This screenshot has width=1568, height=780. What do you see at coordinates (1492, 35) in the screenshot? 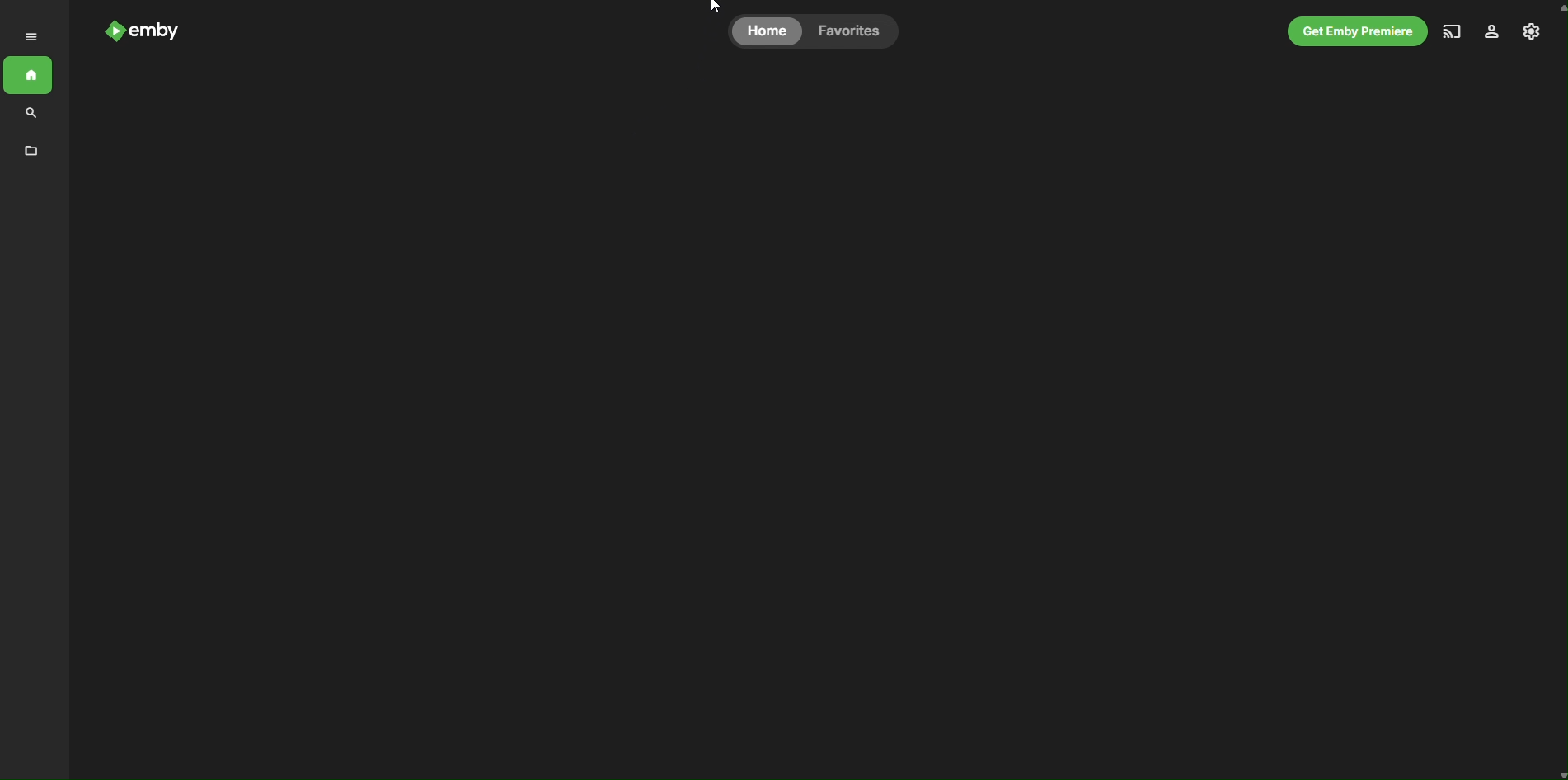
I see `Profile` at bounding box center [1492, 35].